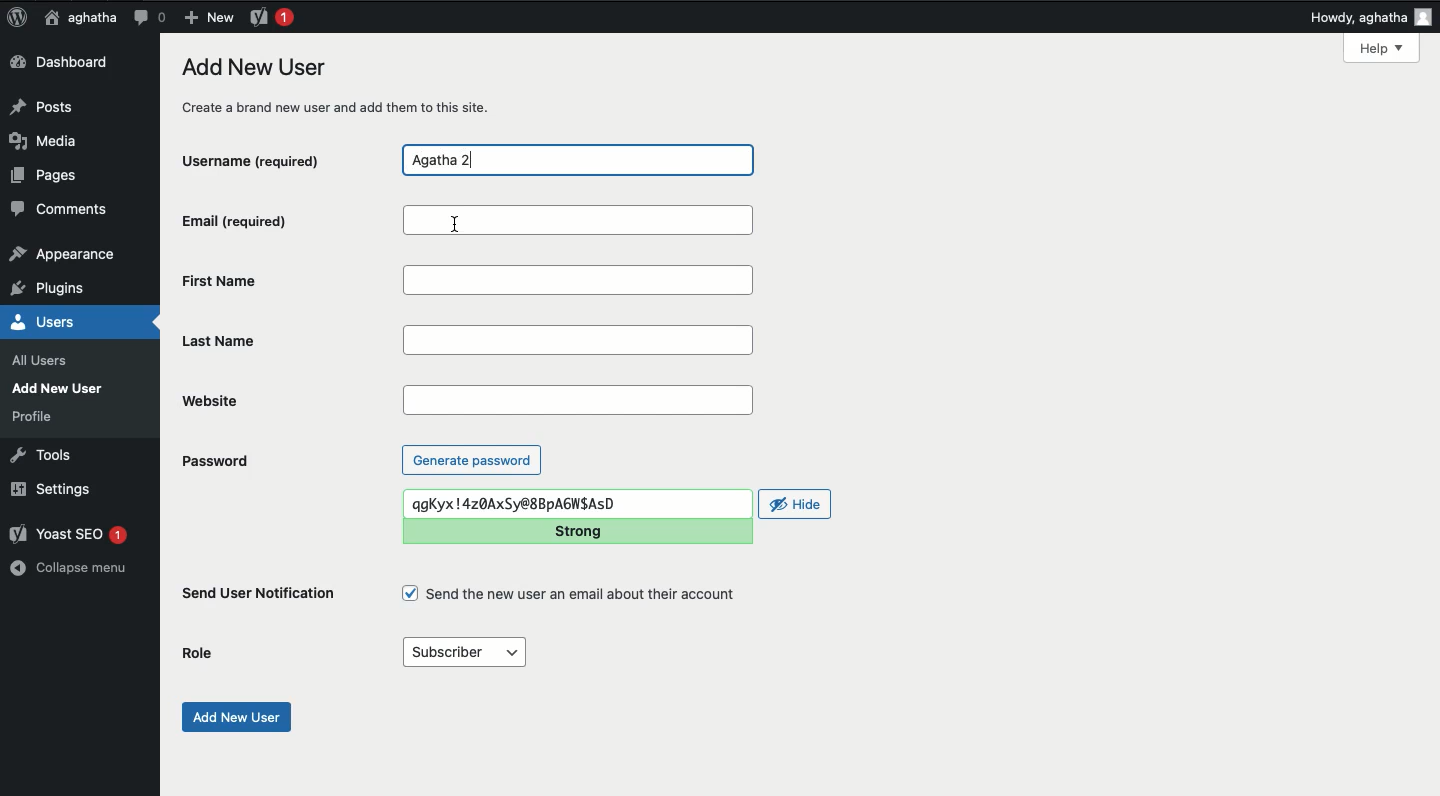  What do you see at coordinates (463, 653) in the screenshot?
I see `Subscriber` at bounding box center [463, 653].